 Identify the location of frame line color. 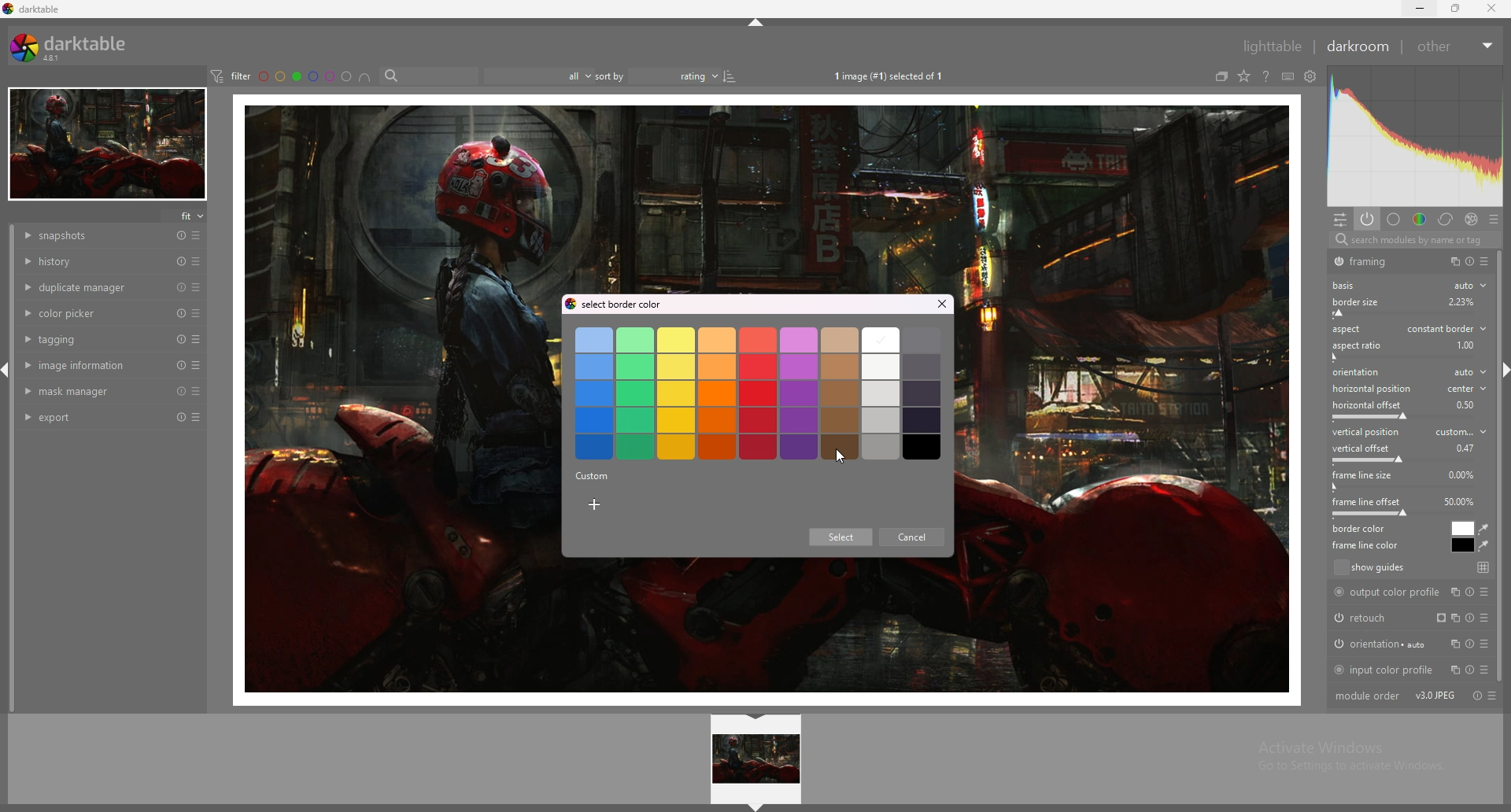
(1368, 545).